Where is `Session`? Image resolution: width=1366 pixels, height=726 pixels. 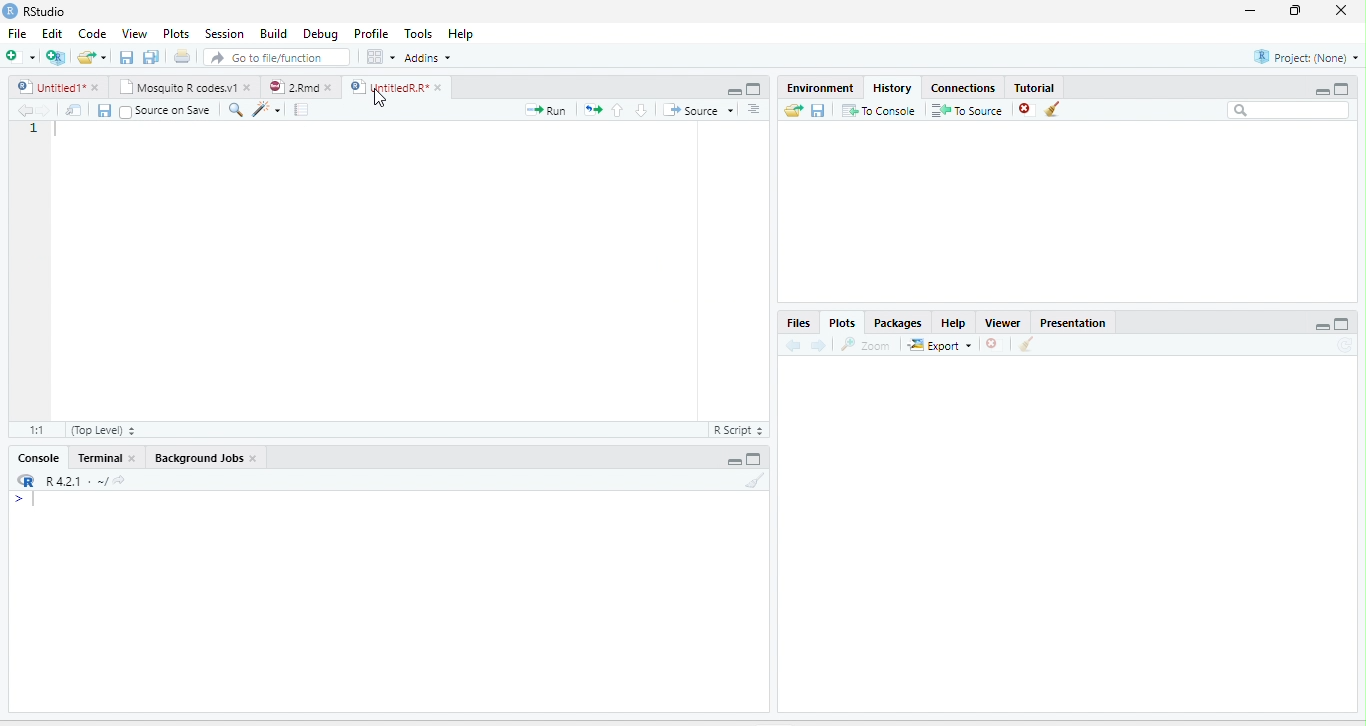 Session is located at coordinates (225, 33).